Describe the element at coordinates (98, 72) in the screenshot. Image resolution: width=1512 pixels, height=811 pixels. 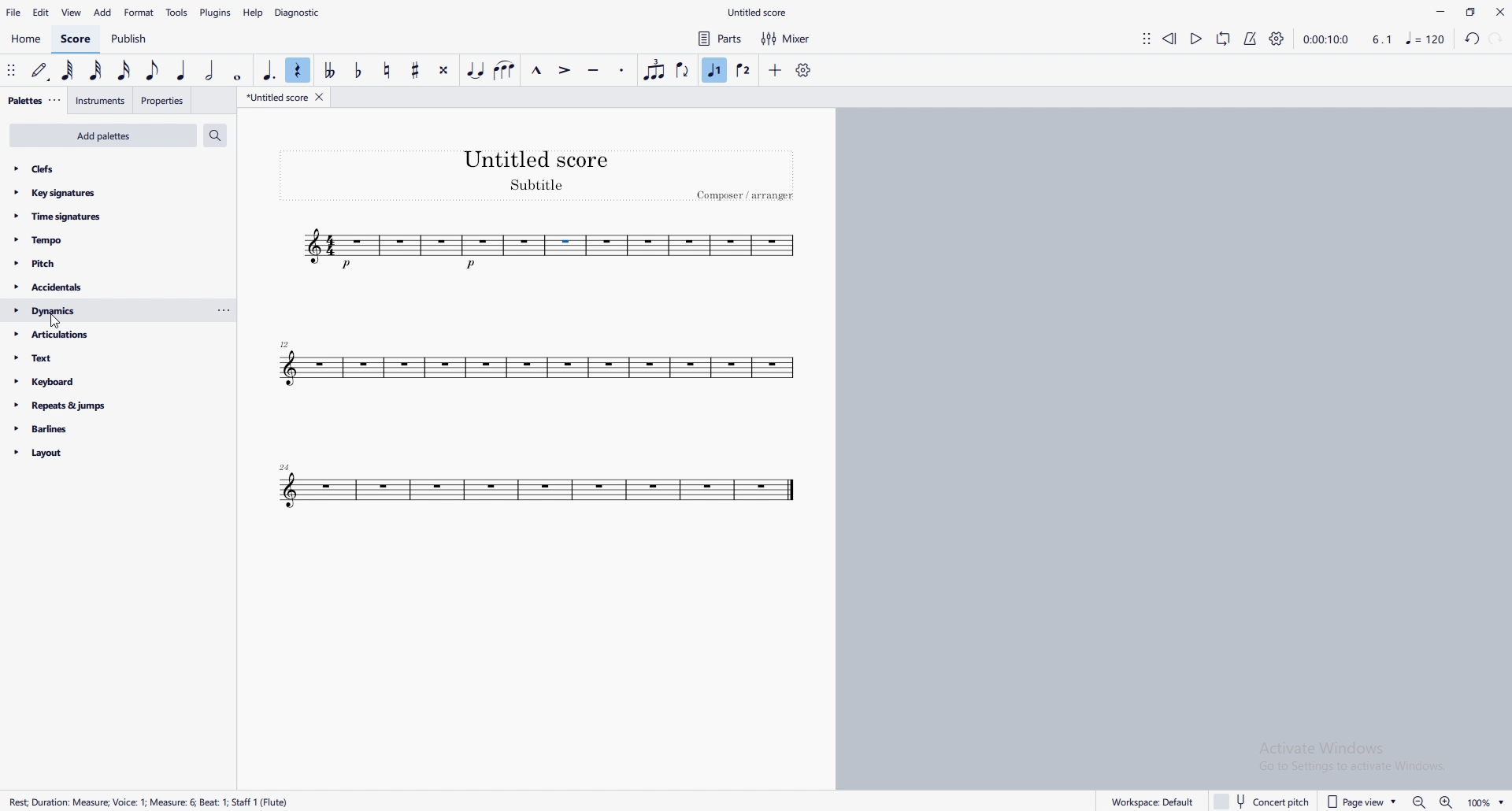
I see `32nd note` at that location.